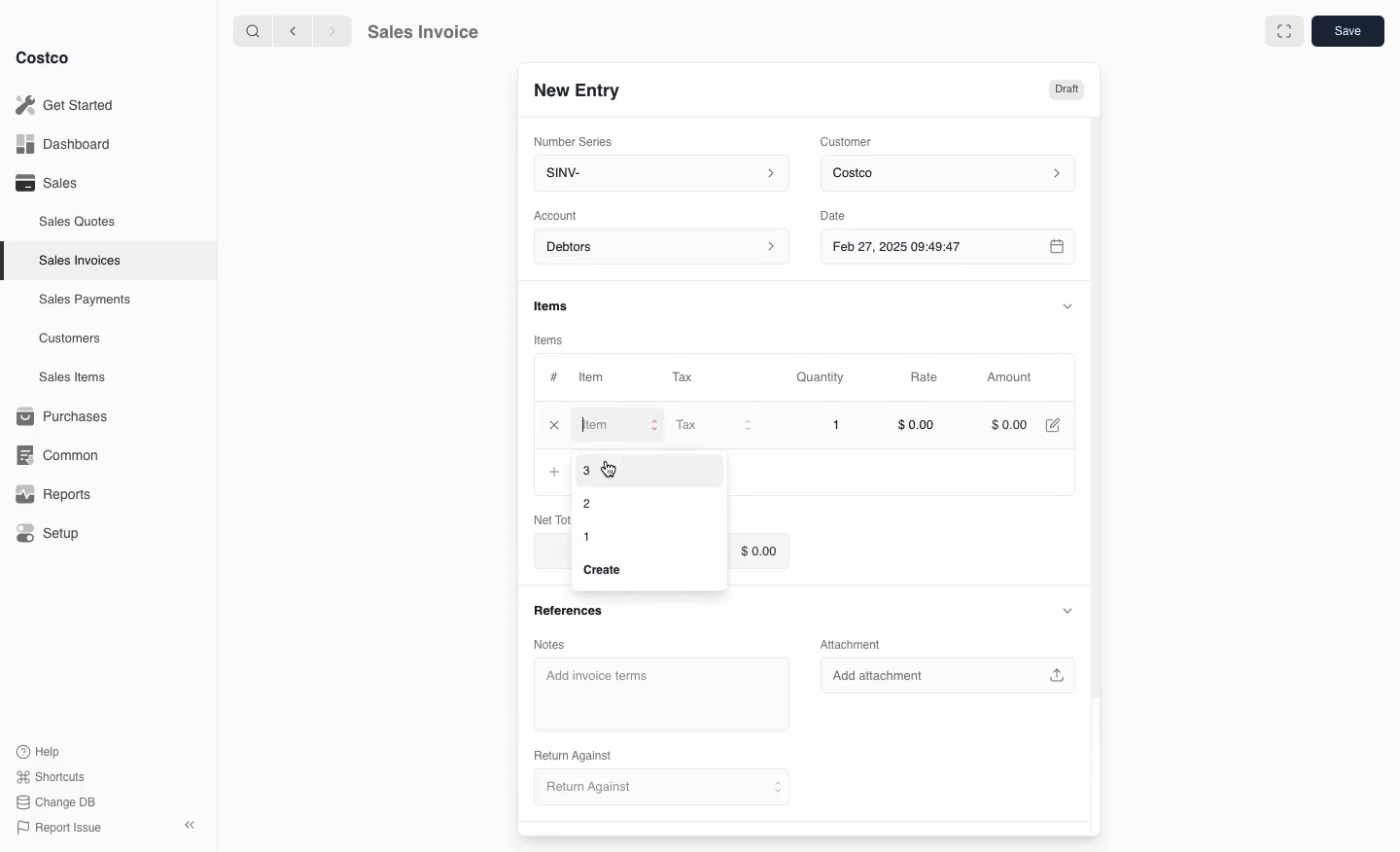 Image resolution: width=1400 pixels, height=852 pixels. What do you see at coordinates (616, 469) in the screenshot?
I see `cursor` at bounding box center [616, 469].